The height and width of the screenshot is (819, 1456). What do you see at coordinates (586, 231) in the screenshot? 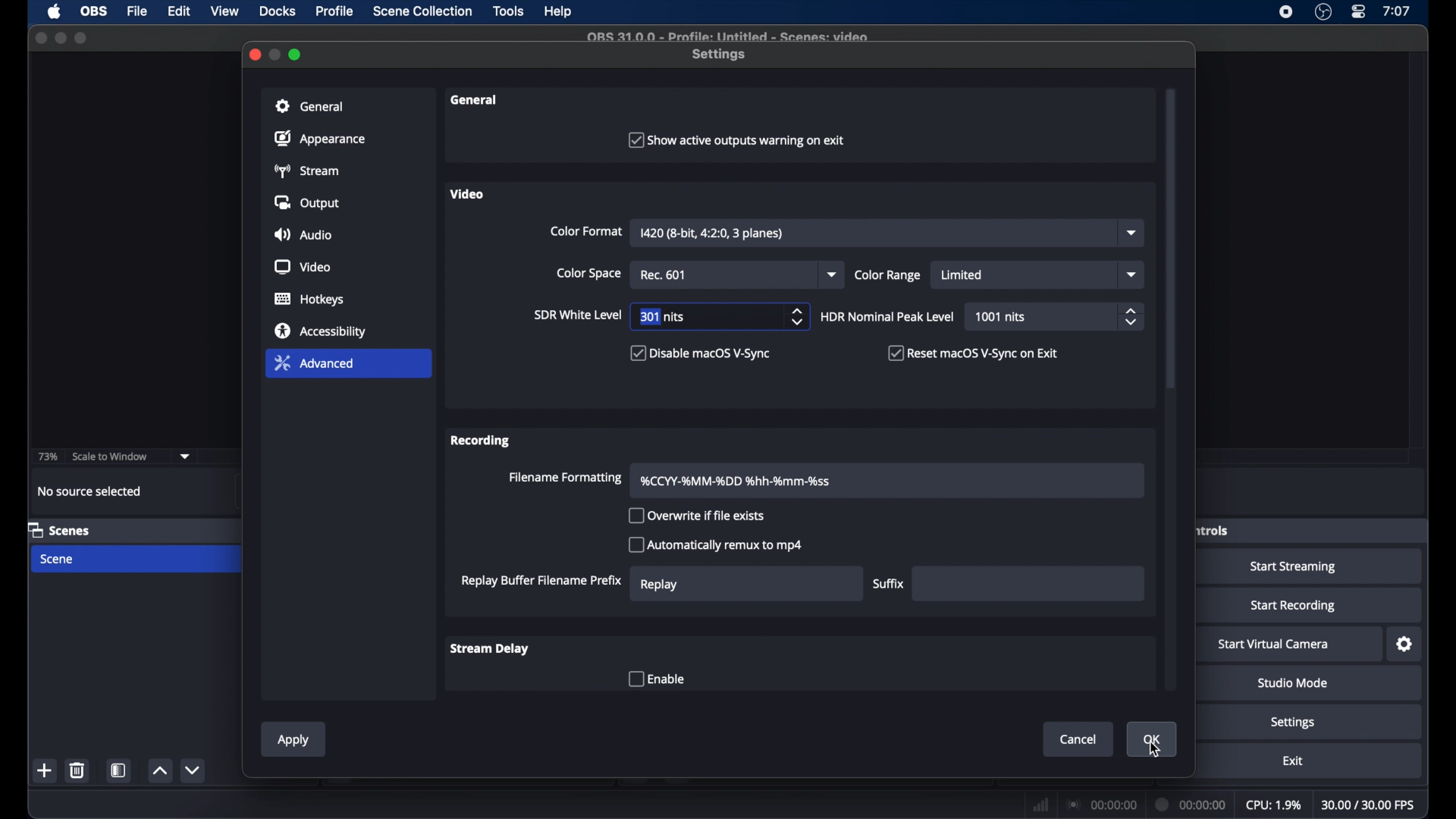
I see `color format` at bounding box center [586, 231].